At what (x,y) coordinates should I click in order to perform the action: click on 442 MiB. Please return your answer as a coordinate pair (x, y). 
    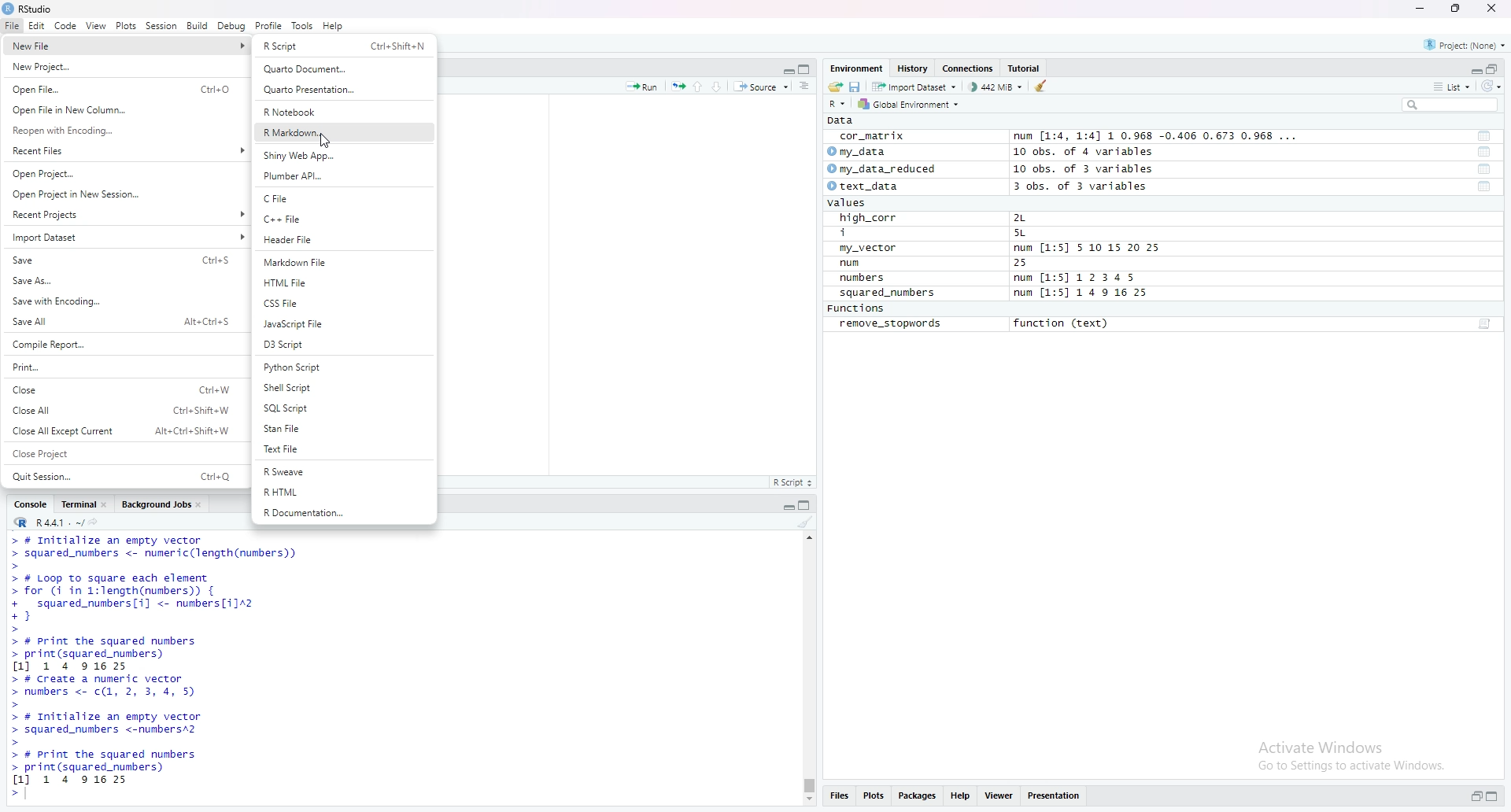
    Looking at the image, I should click on (999, 87).